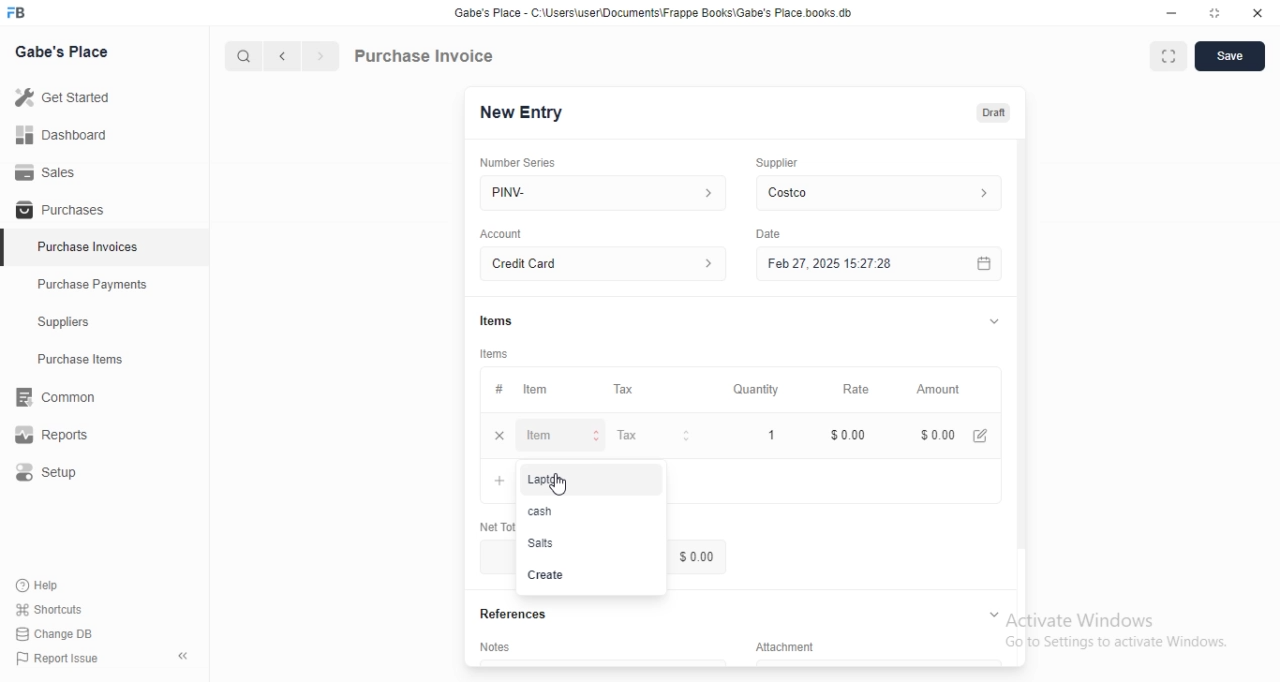 The height and width of the screenshot is (682, 1280). What do you see at coordinates (518, 163) in the screenshot?
I see `Number Series` at bounding box center [518, 163].